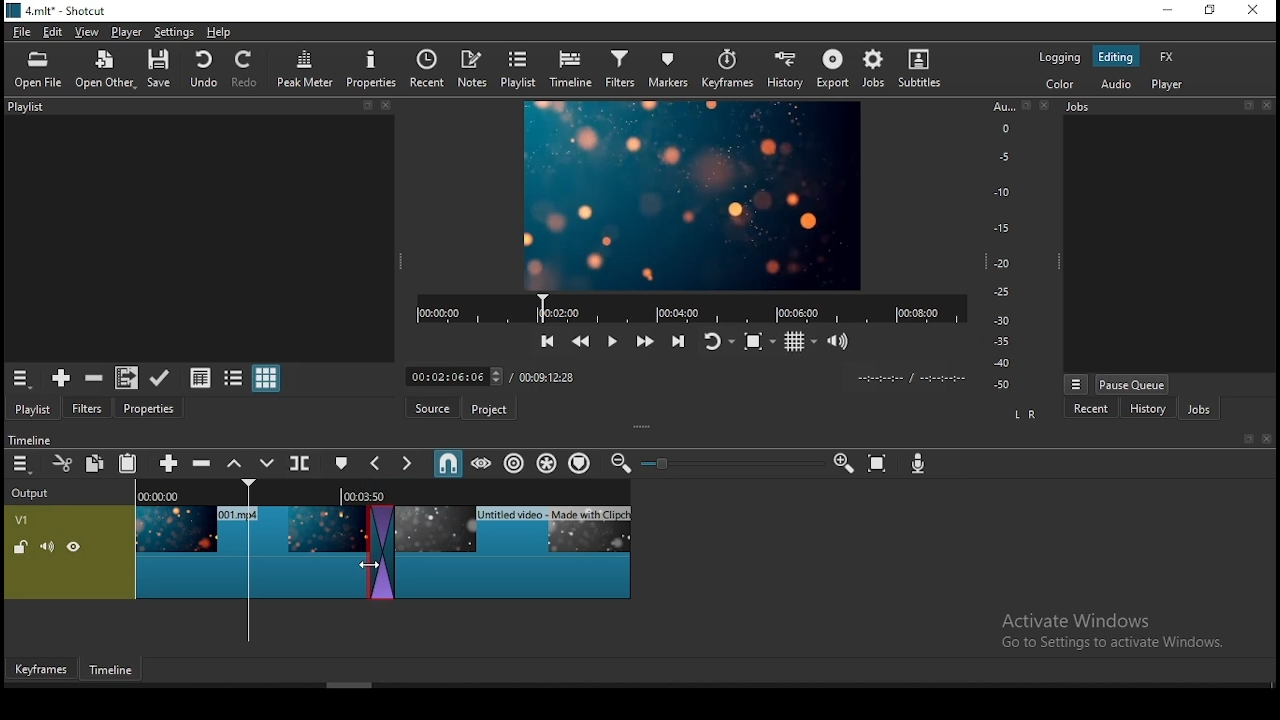 This screenshot has height=720, width=1280. Describe the element at coordinates (251, 550) in the screenshot. I see `video clip` at that location.